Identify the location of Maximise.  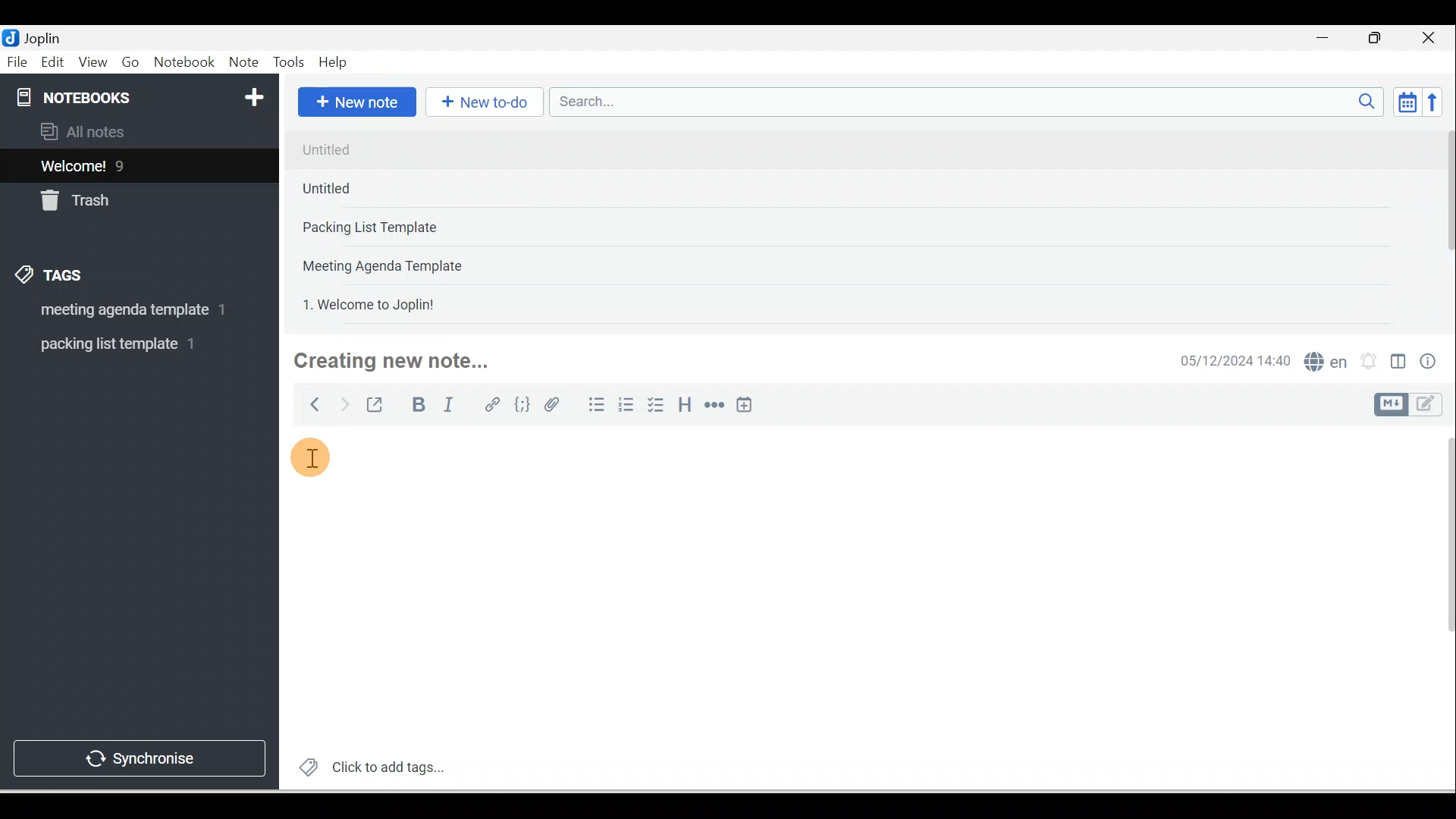
(1380, 39).